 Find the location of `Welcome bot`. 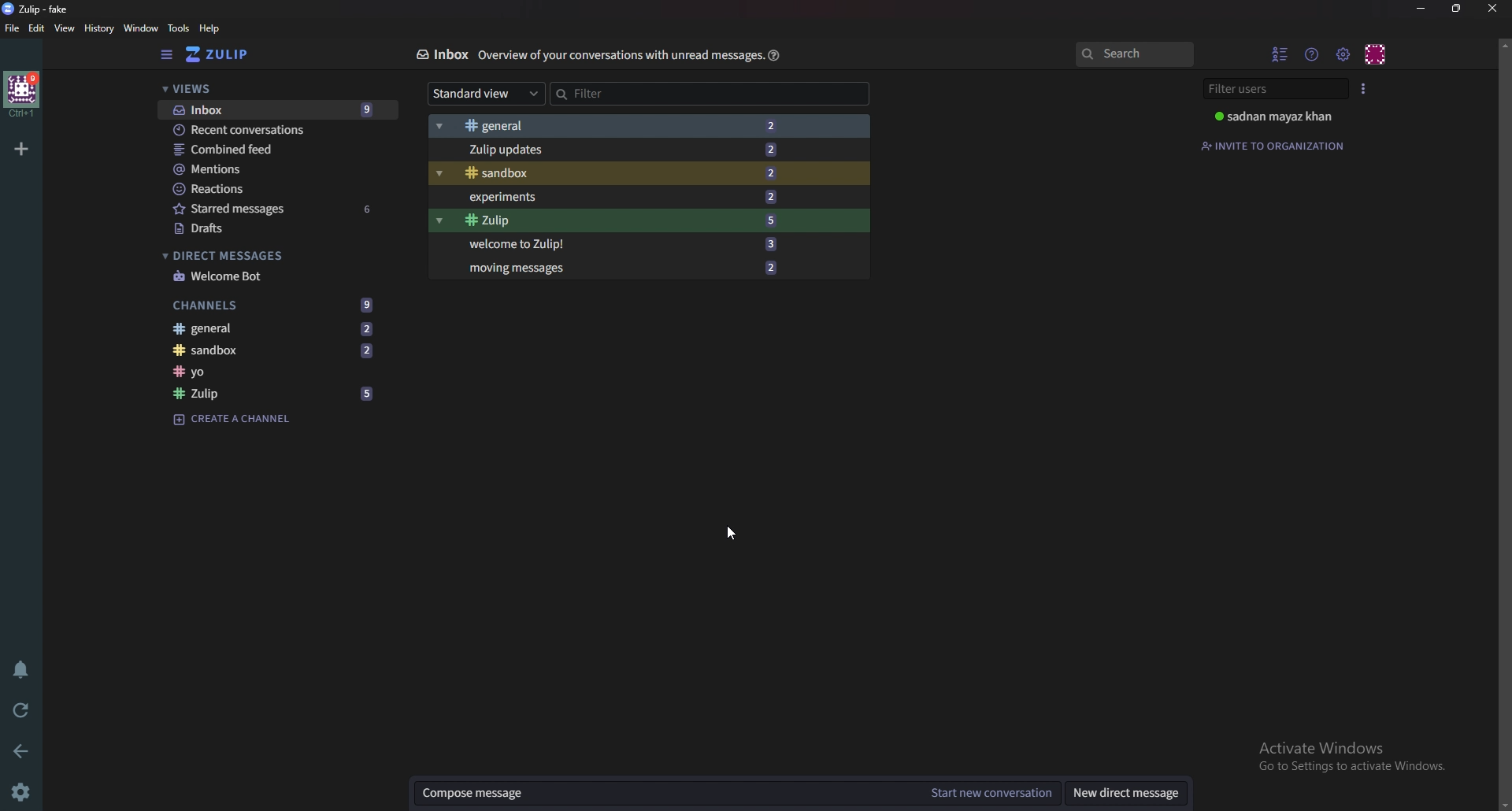

Welcome bot is located at coordinates (261, 277).